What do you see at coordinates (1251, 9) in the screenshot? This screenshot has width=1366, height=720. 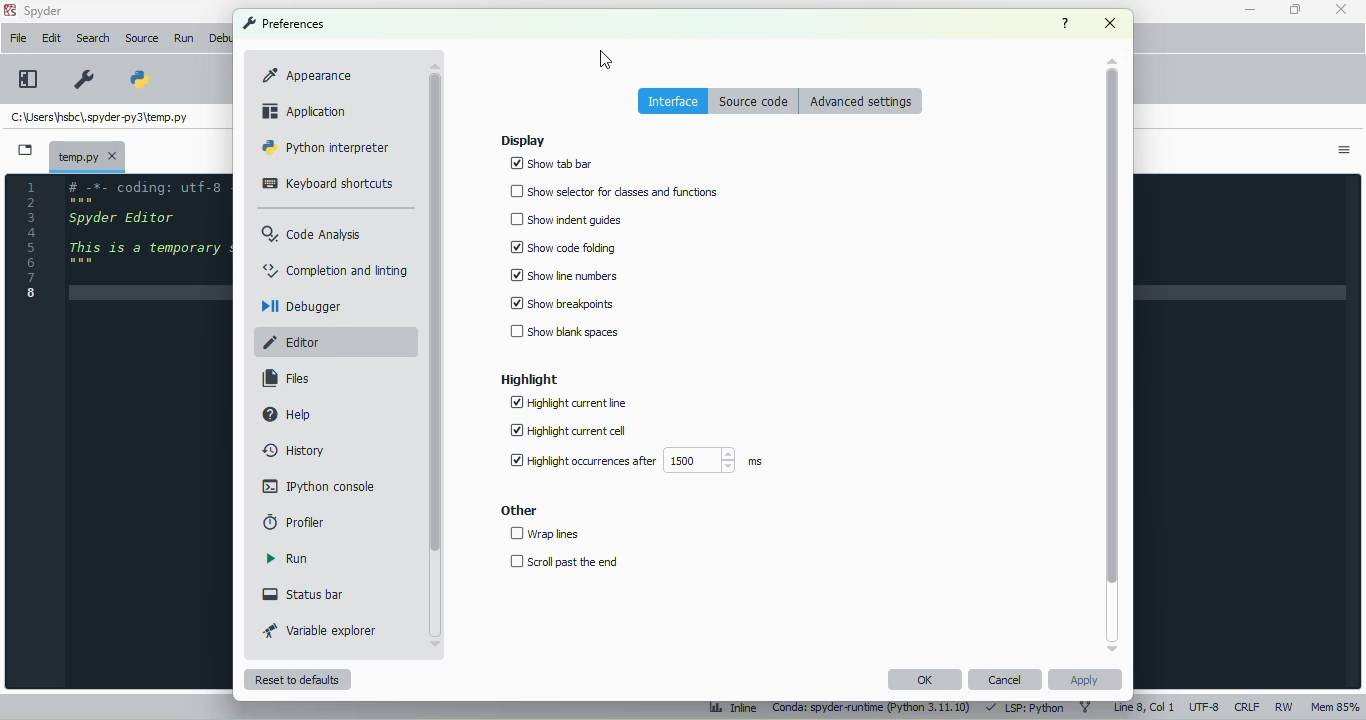 I see `minimize` at bounding box center [1251, 9].